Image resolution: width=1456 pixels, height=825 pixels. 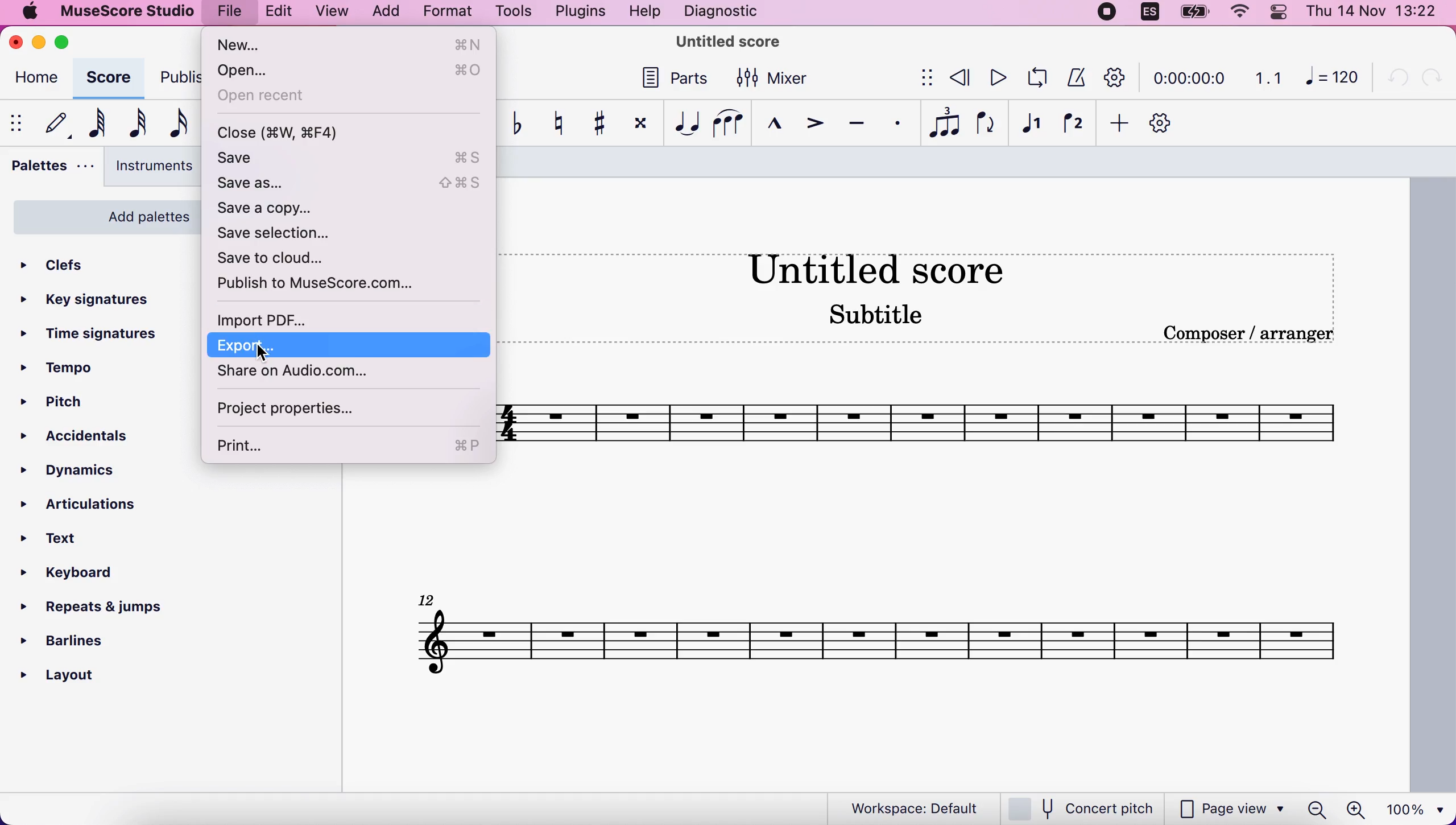 What do you see at coordinates (907, 807) in the screenshot?
I see `workspace default` at bounding box center [907, 807].